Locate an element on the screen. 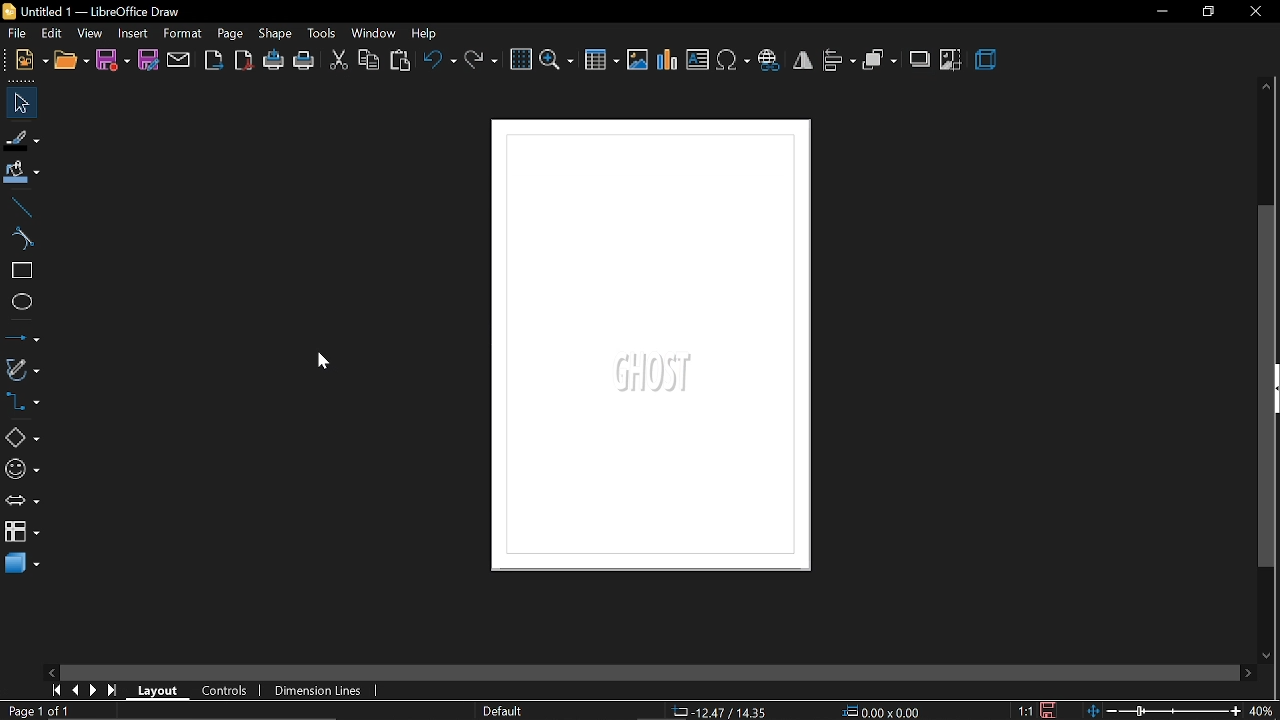 The height and width of the screenshot is (720, 1280). save is located at coordinates (1050, 709).